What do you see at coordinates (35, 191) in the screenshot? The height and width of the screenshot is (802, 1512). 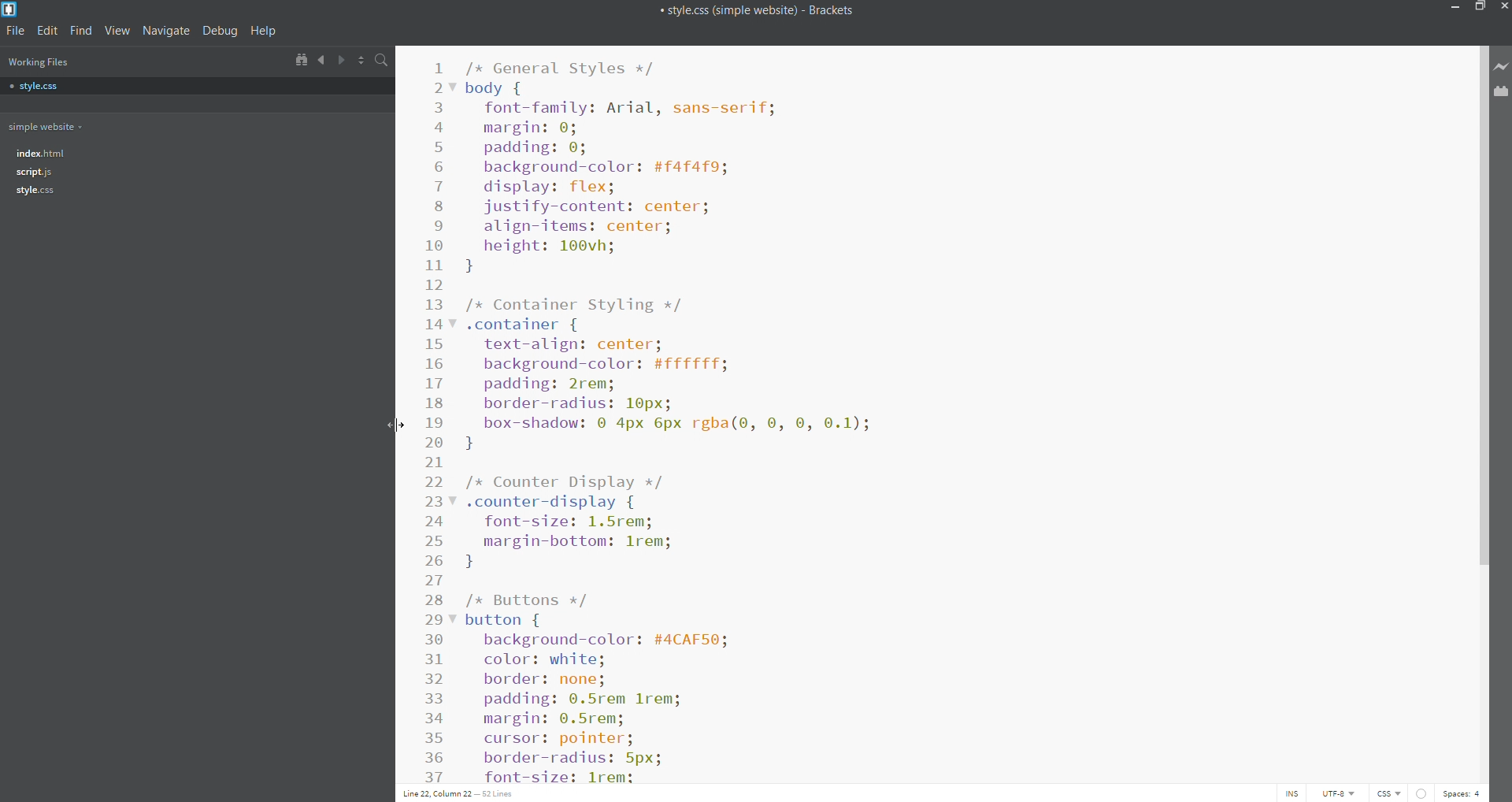 I see `file tree - style.css` at bounding box center [35, 191].